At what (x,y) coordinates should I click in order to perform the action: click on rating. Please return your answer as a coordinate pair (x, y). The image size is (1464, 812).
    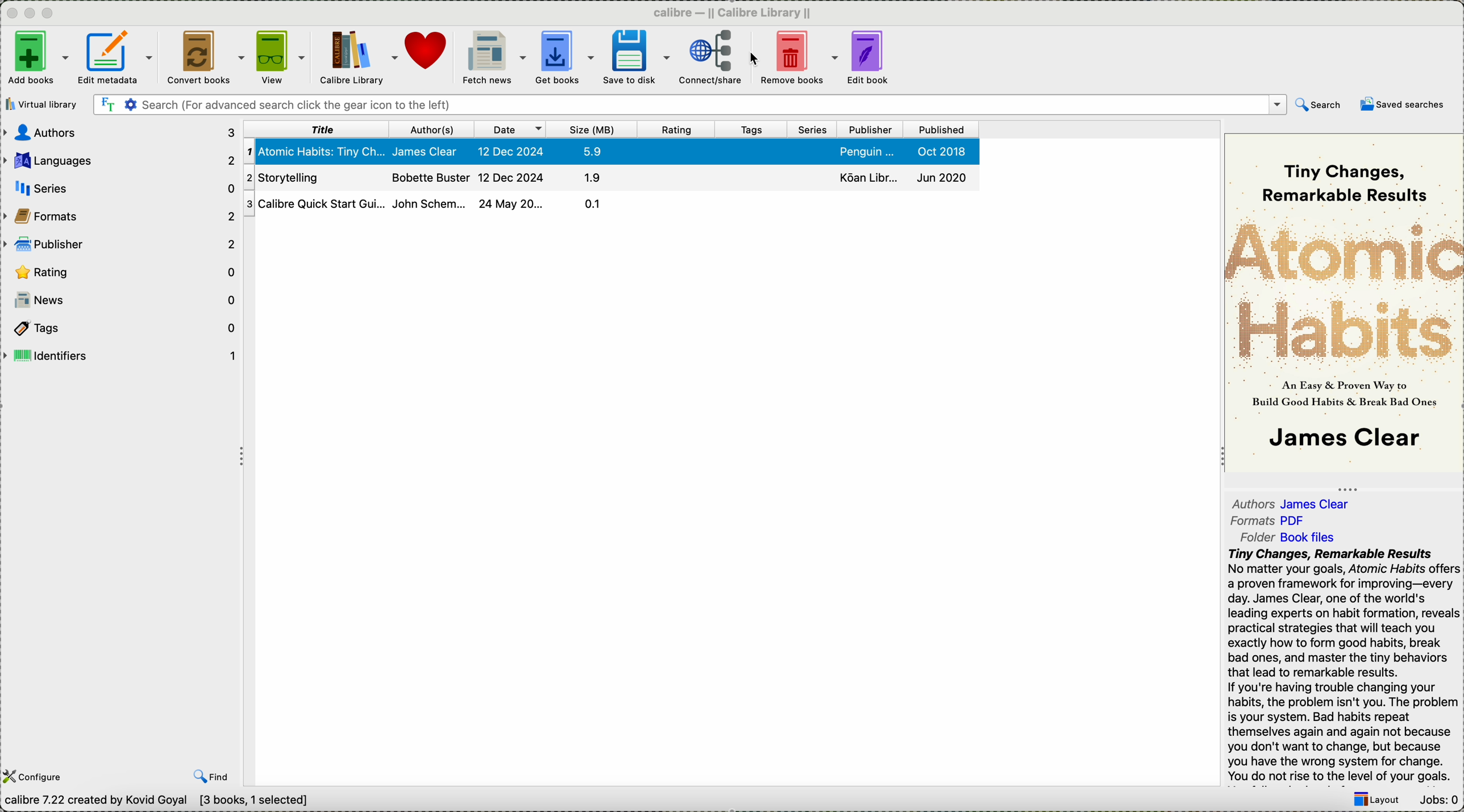
    Looking at the image, I should click on (123, 272).